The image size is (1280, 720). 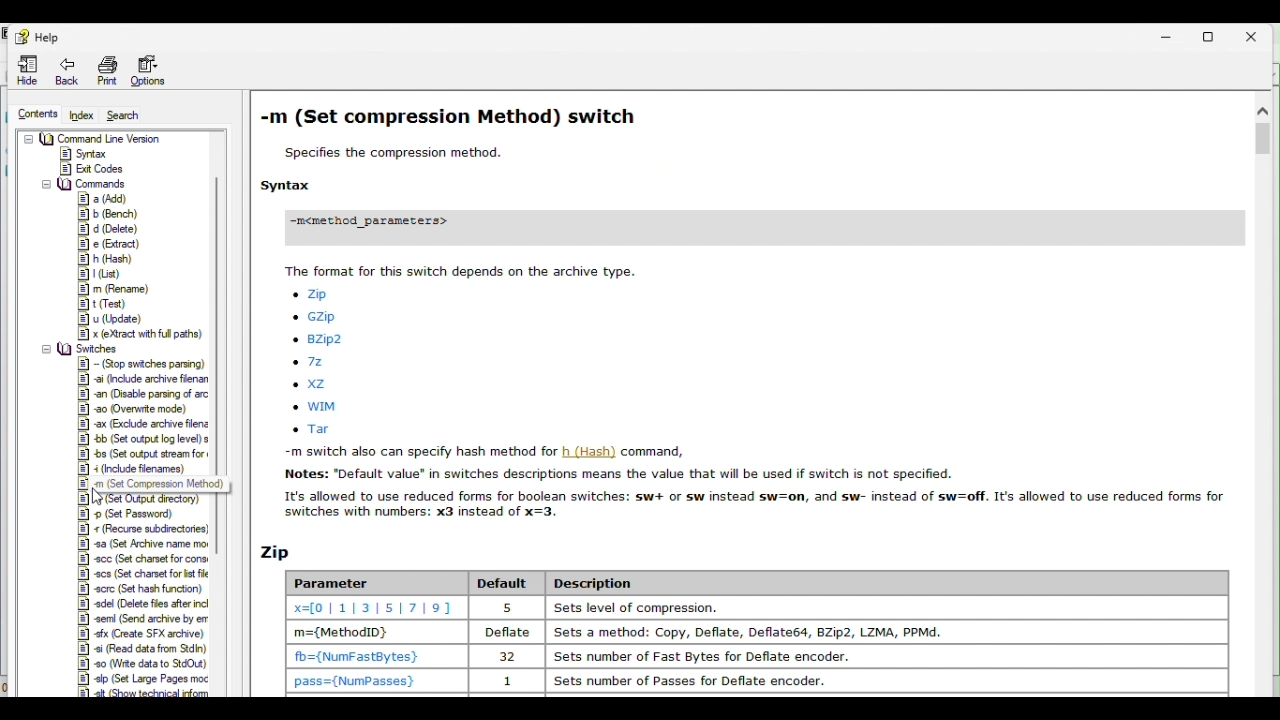 What do you see at coordinates (142, 574) in the screenshot?
I see `scs` at bounding box center [142, 574].